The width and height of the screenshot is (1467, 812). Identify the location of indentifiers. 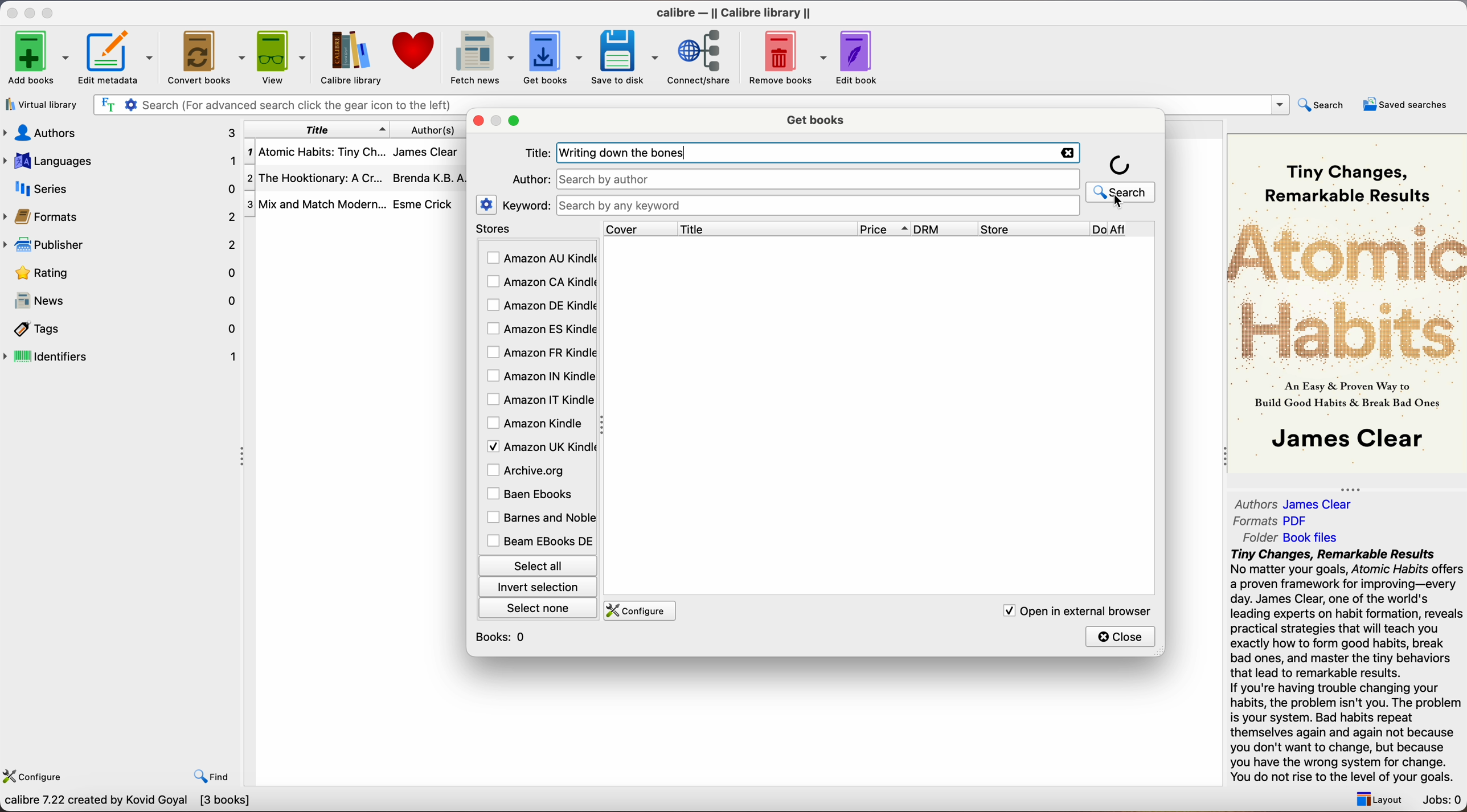
(123, 355).